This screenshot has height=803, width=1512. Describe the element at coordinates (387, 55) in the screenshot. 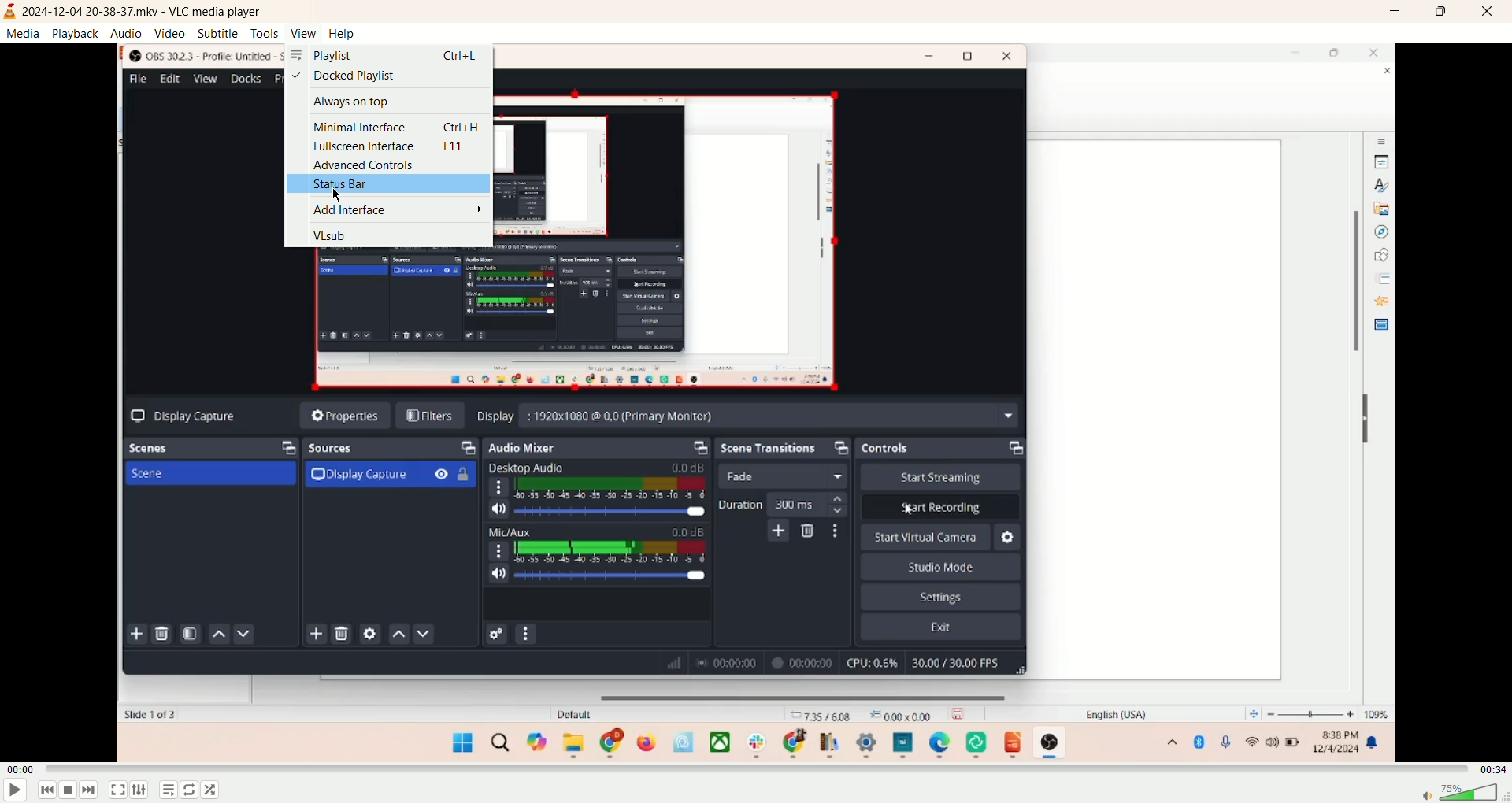

I see `playlist` at that location.